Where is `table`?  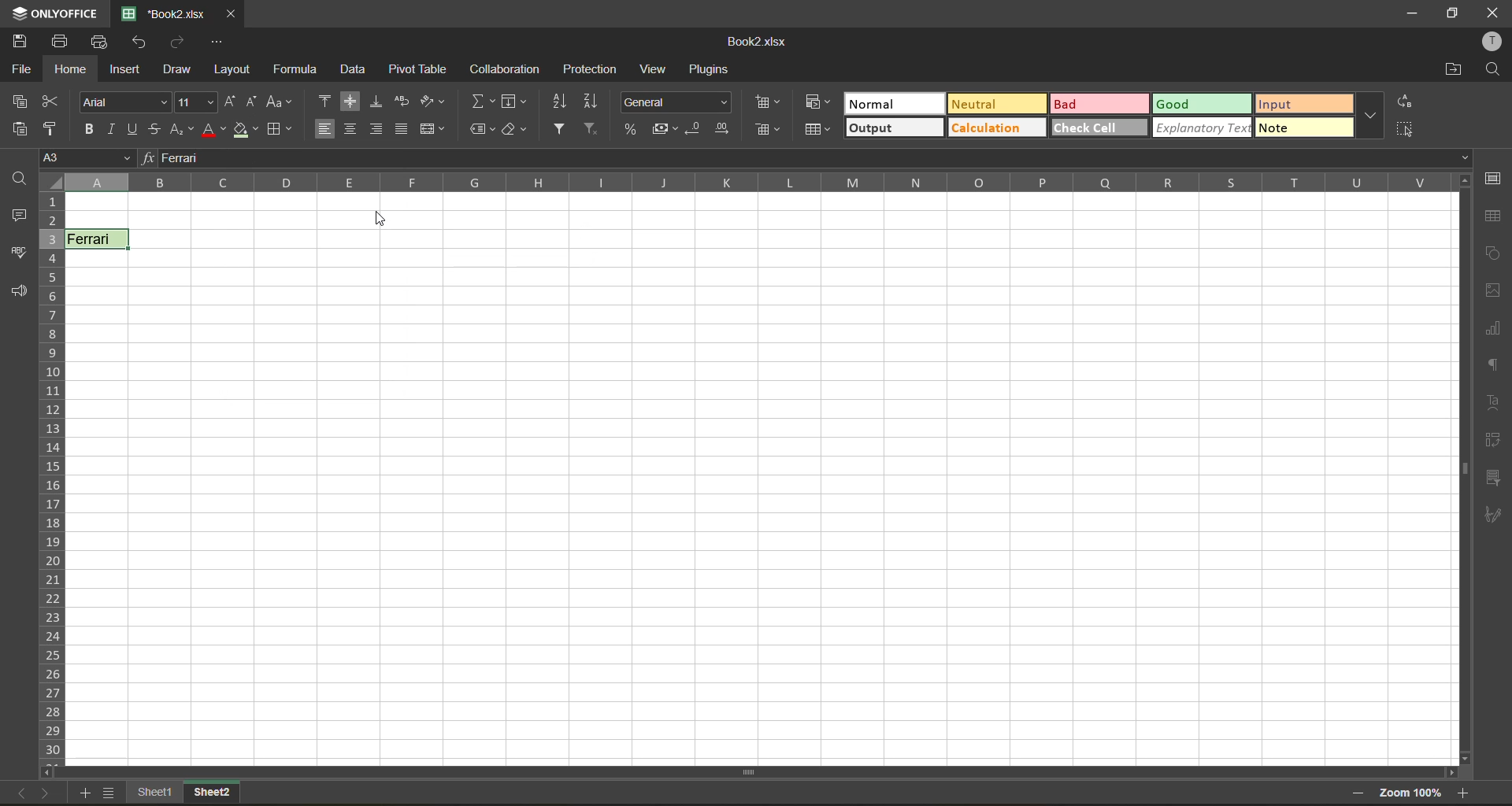 table is located at coordinates (1496, 218).